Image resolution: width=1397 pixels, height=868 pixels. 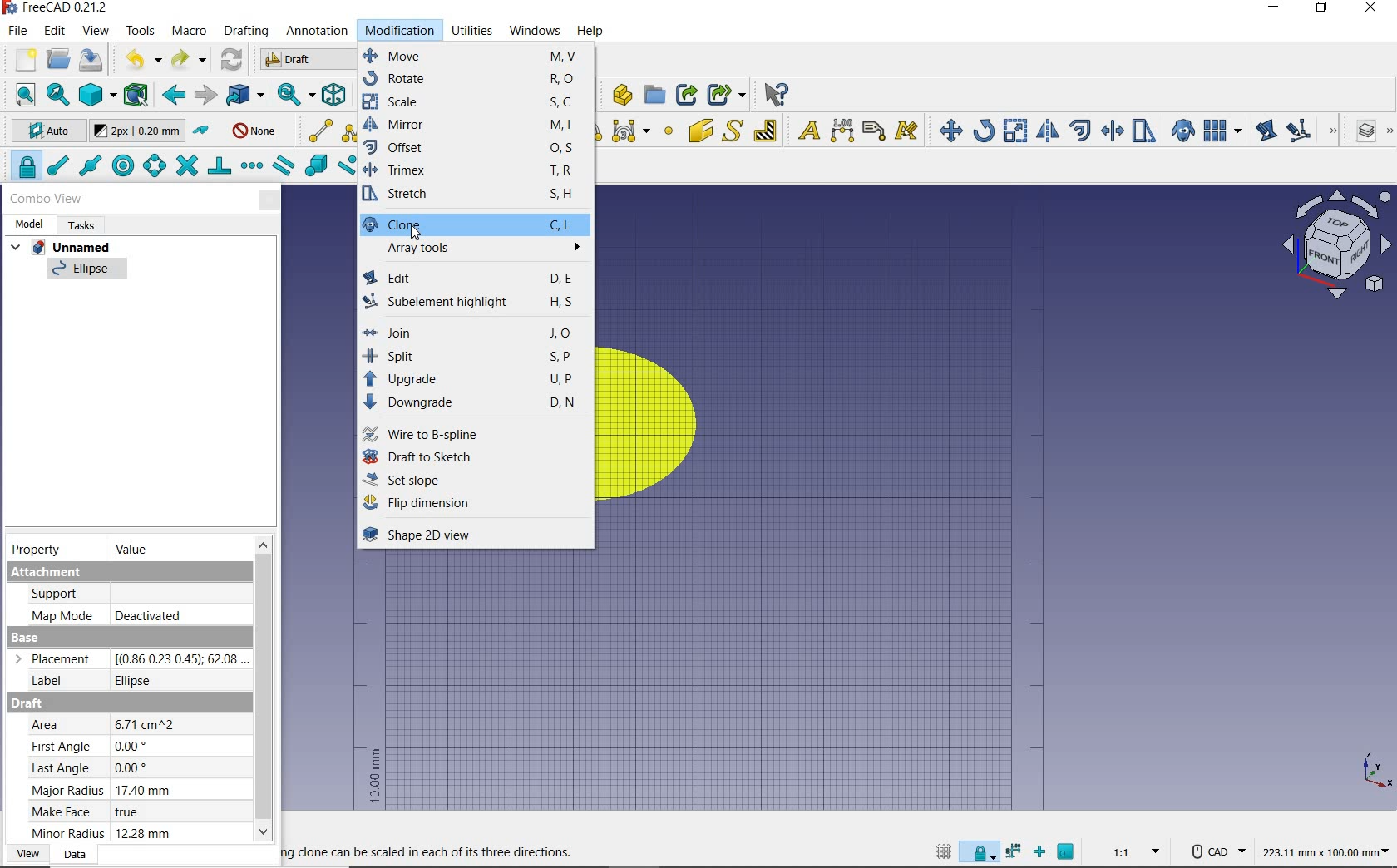 I want to click on snap extension, so click(x=253, y=165).